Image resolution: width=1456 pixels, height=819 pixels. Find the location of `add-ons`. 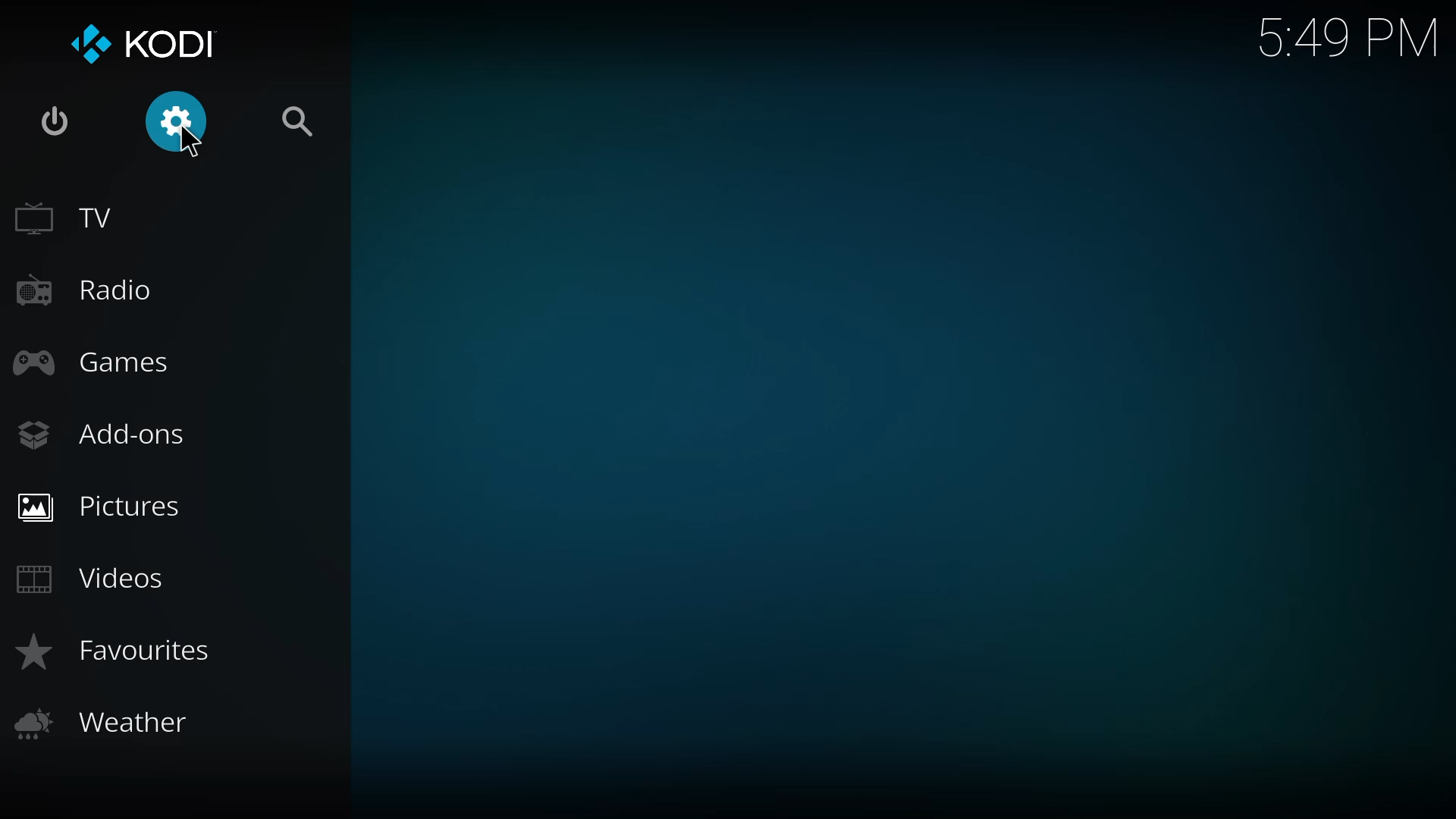

add-ons is located at coordinates (105, 431).